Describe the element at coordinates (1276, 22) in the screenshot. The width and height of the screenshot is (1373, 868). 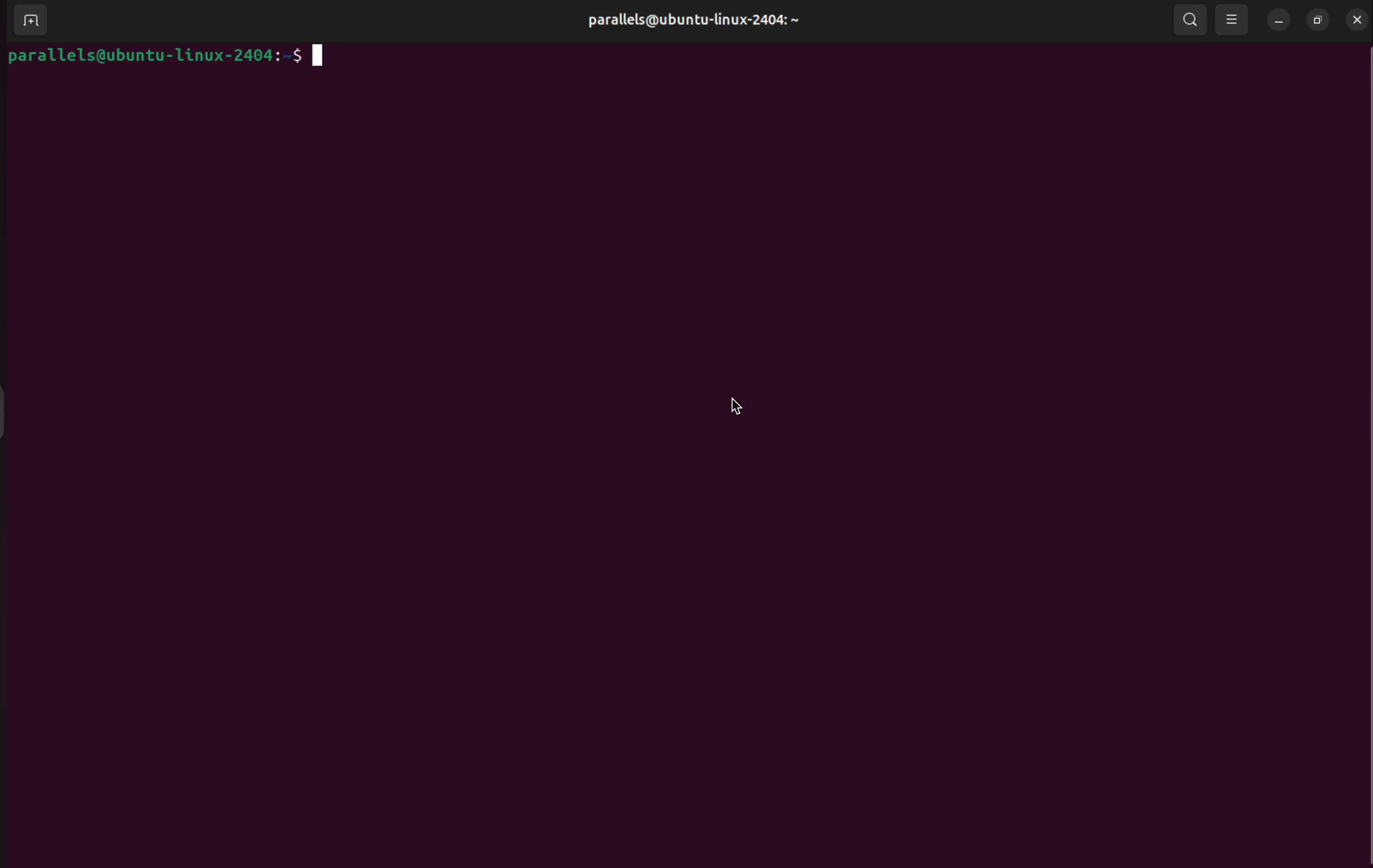
I see `minimize` at that location.